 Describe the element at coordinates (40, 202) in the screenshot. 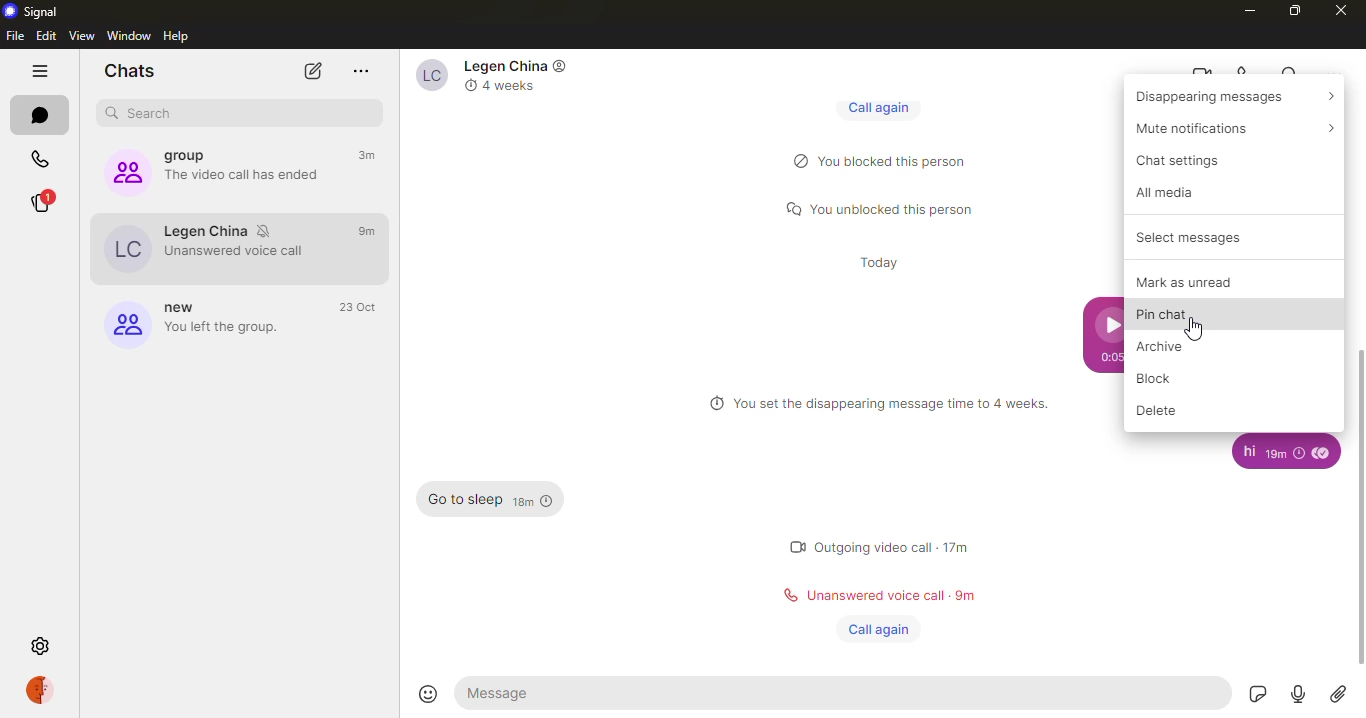

I see `stories` at that location.